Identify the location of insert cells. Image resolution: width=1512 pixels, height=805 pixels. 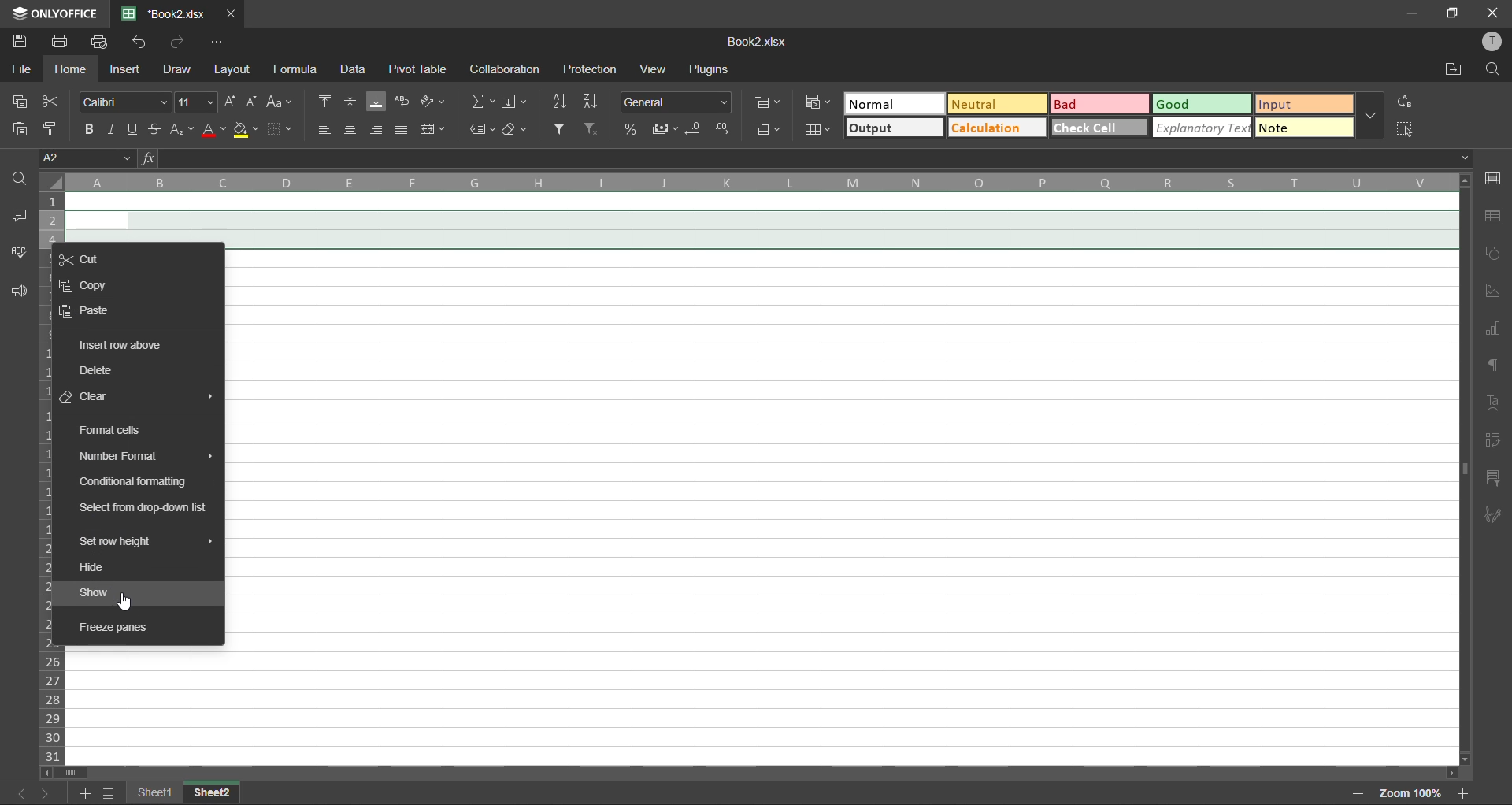
(769, 101).